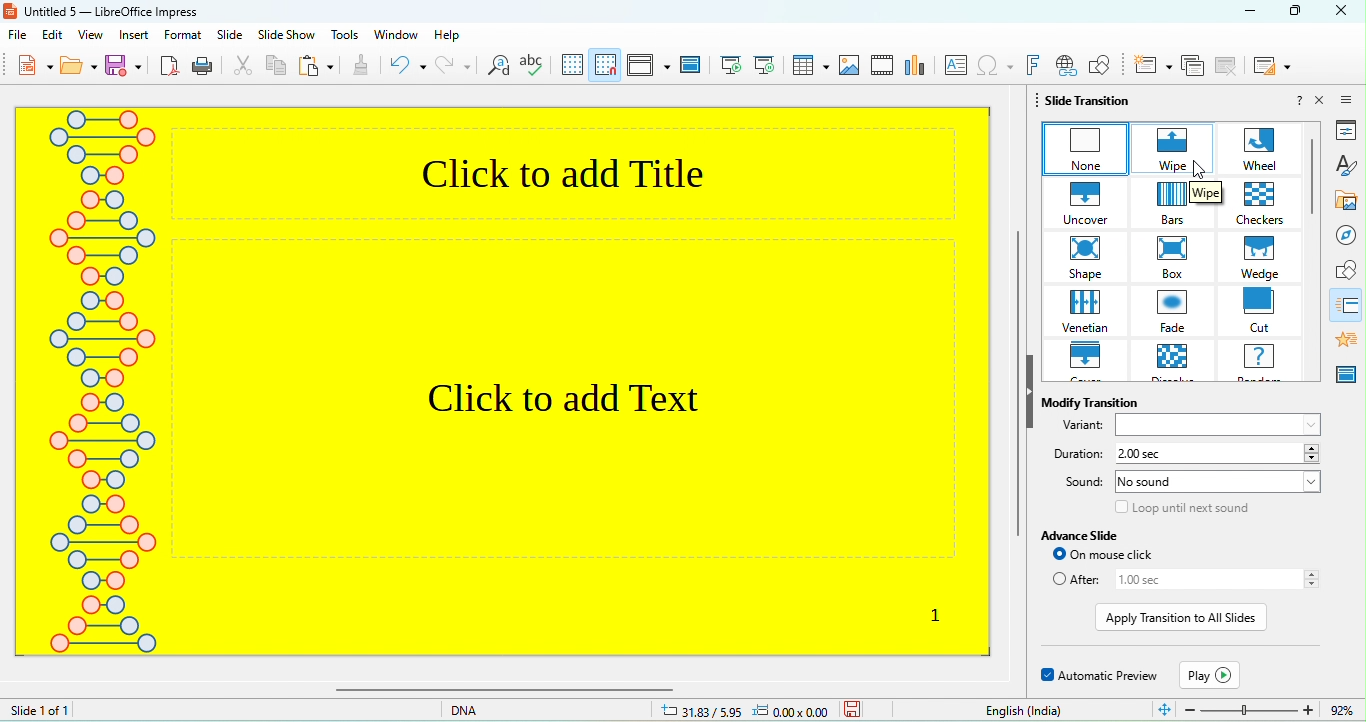 The width and height of the screenshot is (1366, 722). Describe the element at coordinates (850, 65) in the screenshot. I see `image` at that location.